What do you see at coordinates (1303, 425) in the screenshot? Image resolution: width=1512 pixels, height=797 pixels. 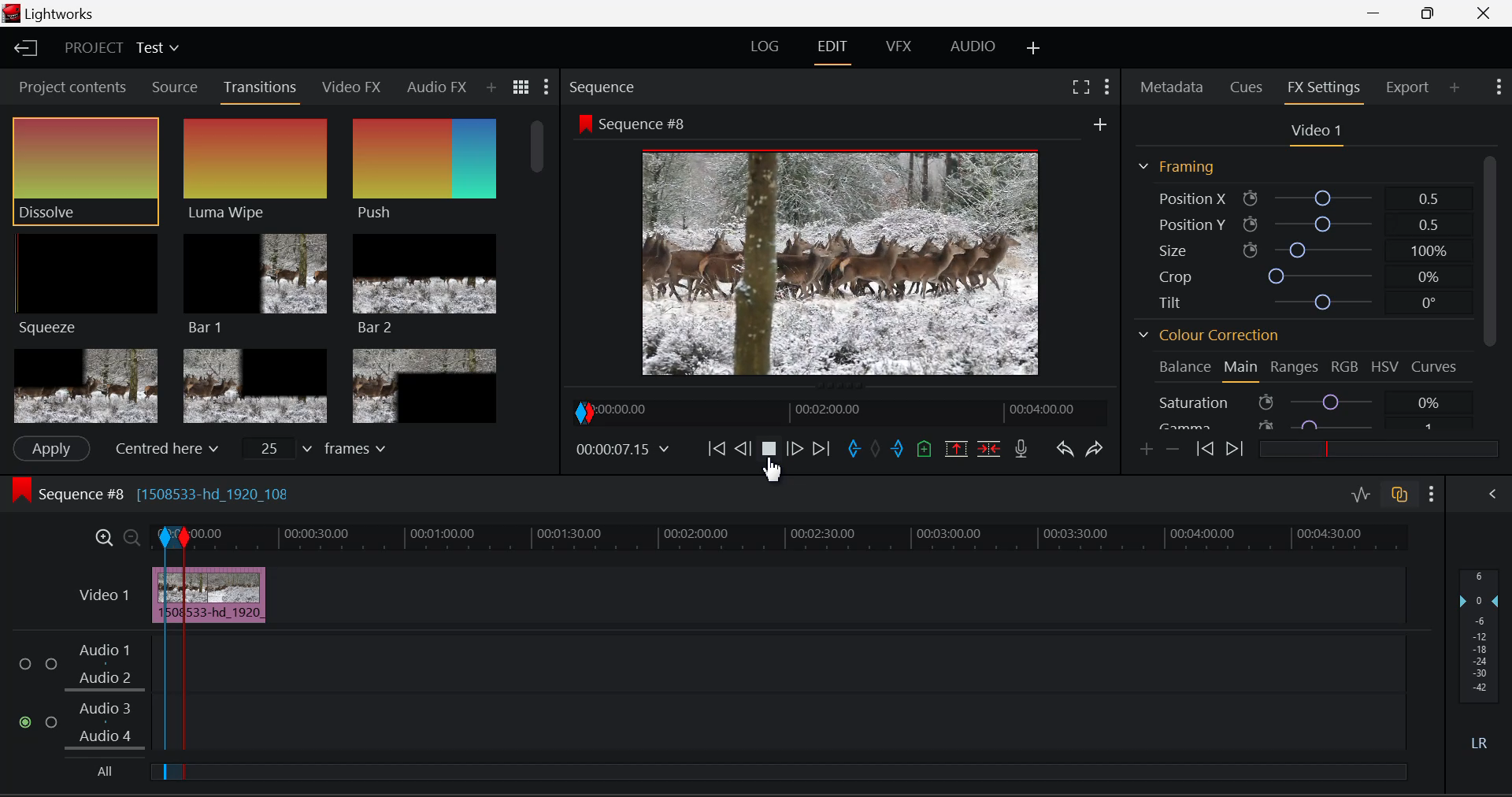 I see `Gamma` at bounding box center [1303, 425].